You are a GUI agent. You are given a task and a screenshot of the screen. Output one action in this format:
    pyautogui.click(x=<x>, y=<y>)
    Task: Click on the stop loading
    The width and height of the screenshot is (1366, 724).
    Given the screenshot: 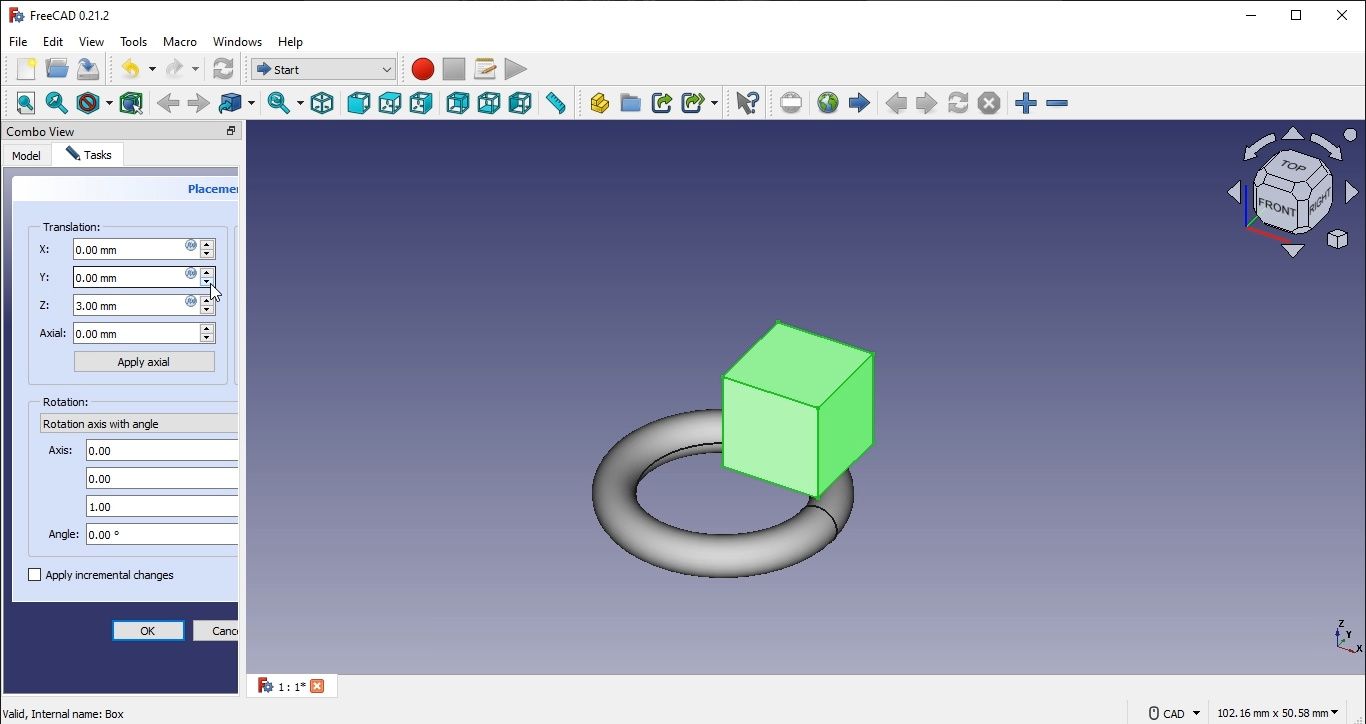 What is the action you would take?
    pyautogui.click(x=990, y=103)
    